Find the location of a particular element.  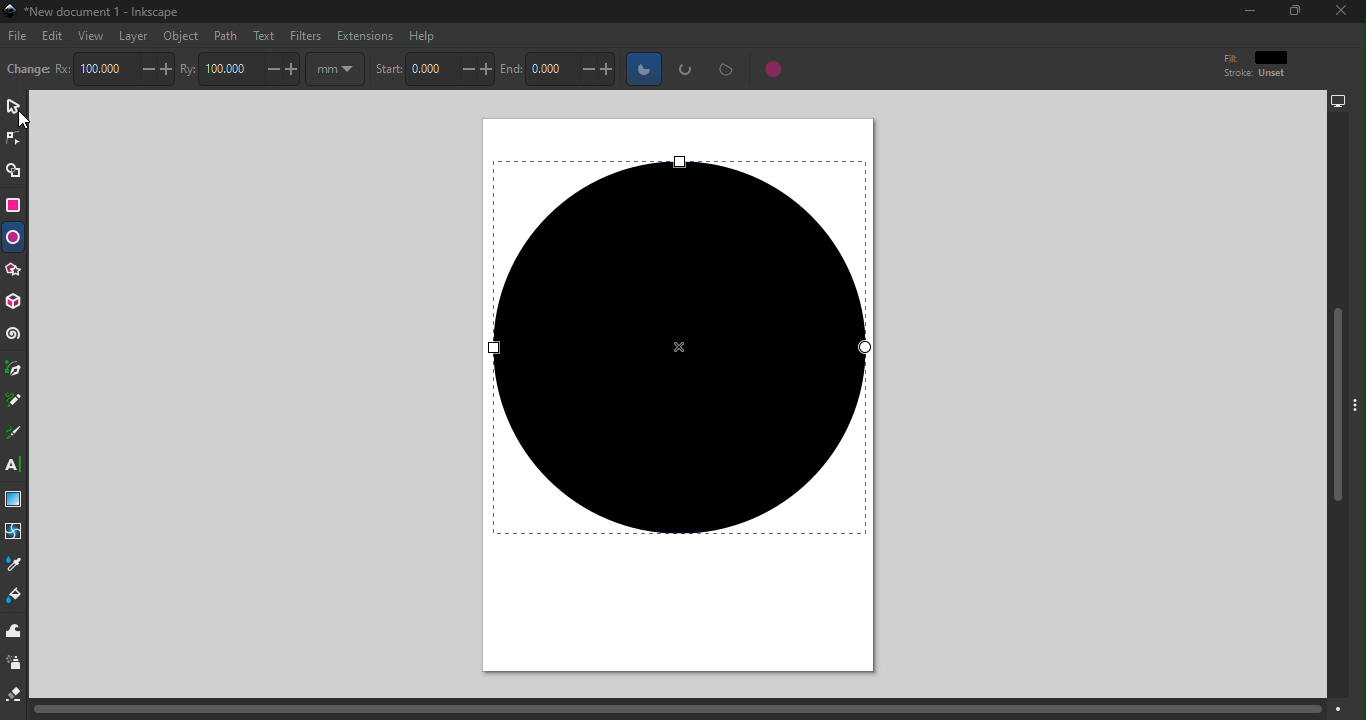

Help is located at coordinates (420, 34).